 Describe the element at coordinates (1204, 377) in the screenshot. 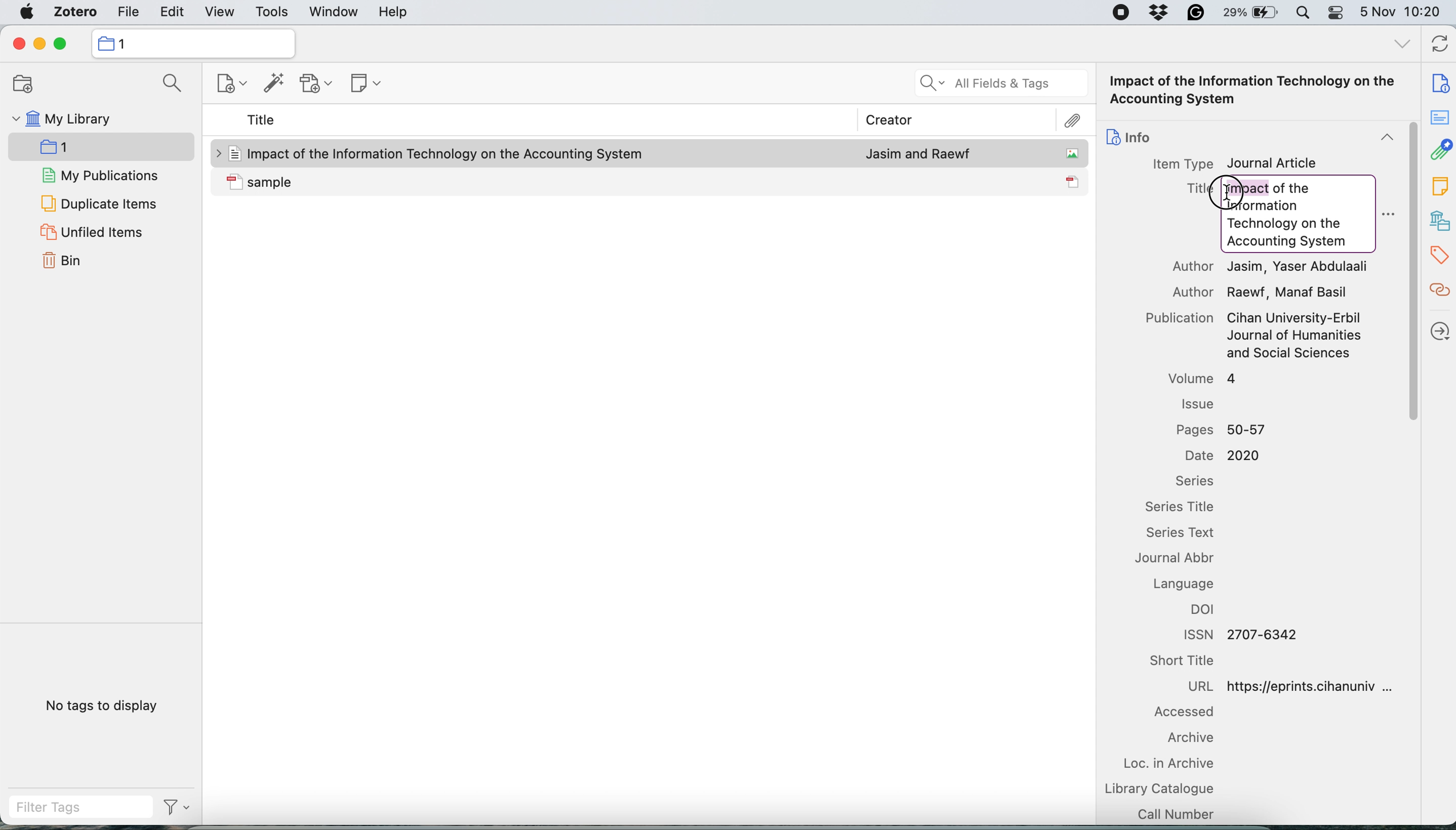

I see `volume 4` at that location.